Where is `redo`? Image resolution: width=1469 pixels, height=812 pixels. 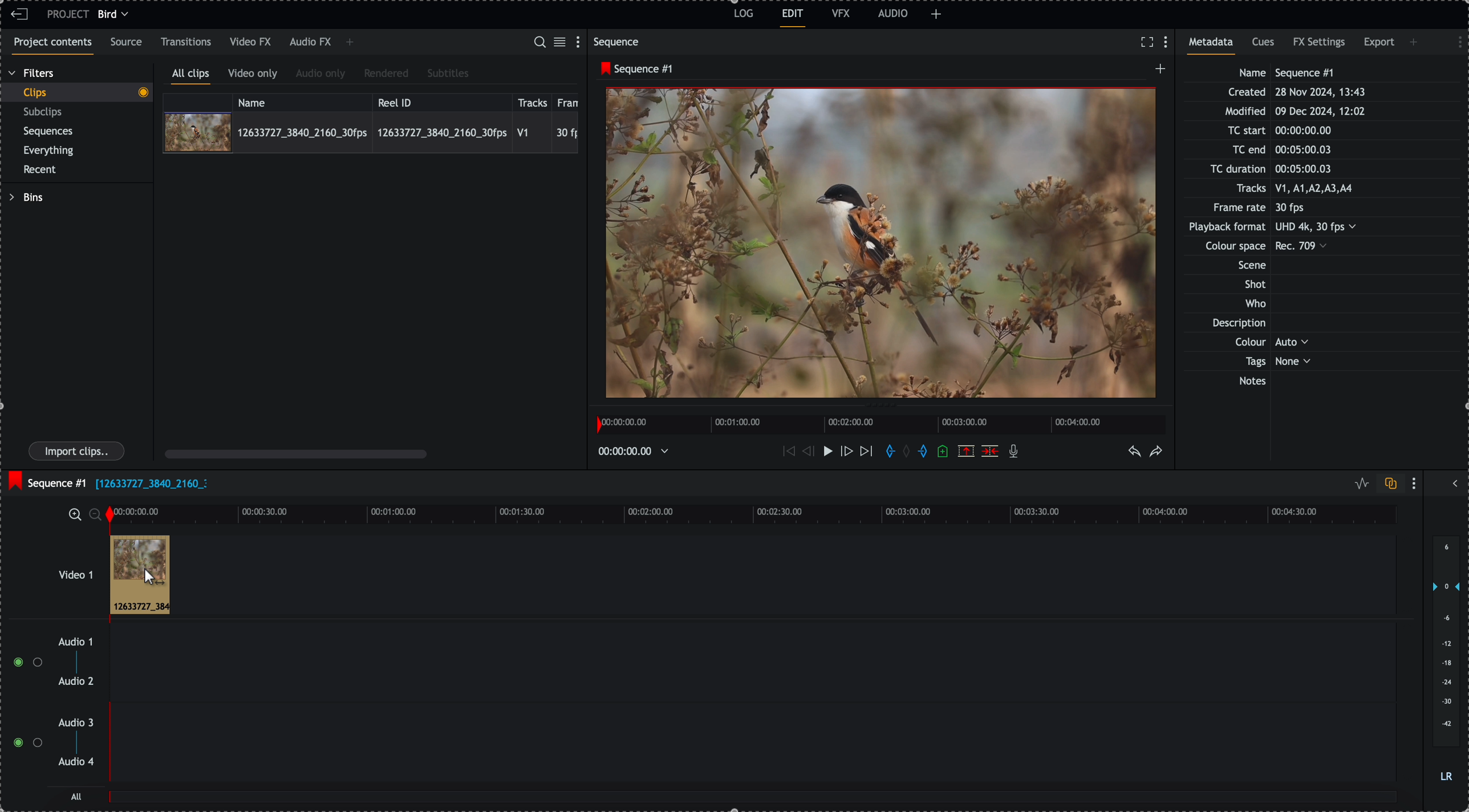 redo is located at coordinates (1156, 452).